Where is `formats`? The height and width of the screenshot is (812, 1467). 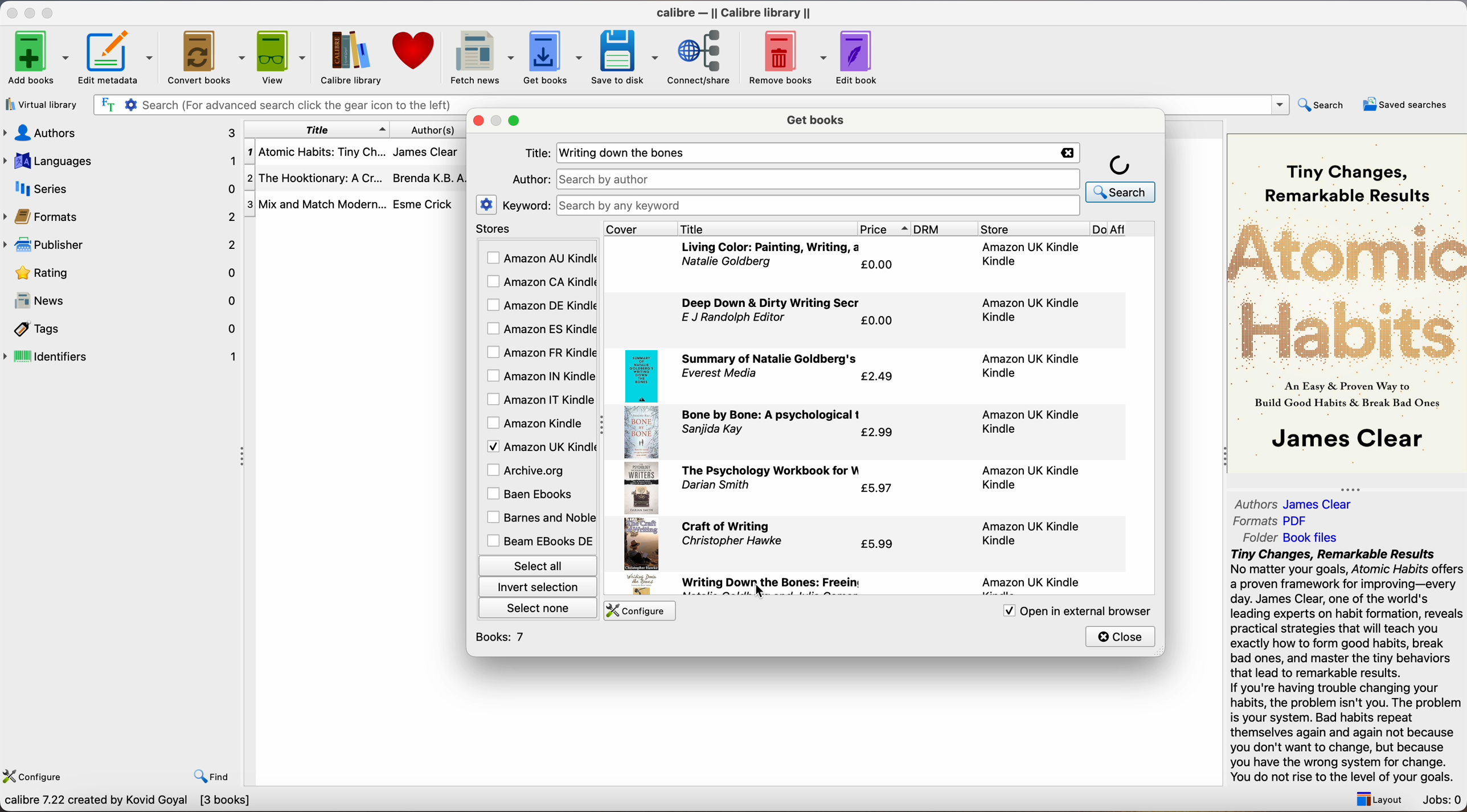
formats is located at coordinates (121, 216).